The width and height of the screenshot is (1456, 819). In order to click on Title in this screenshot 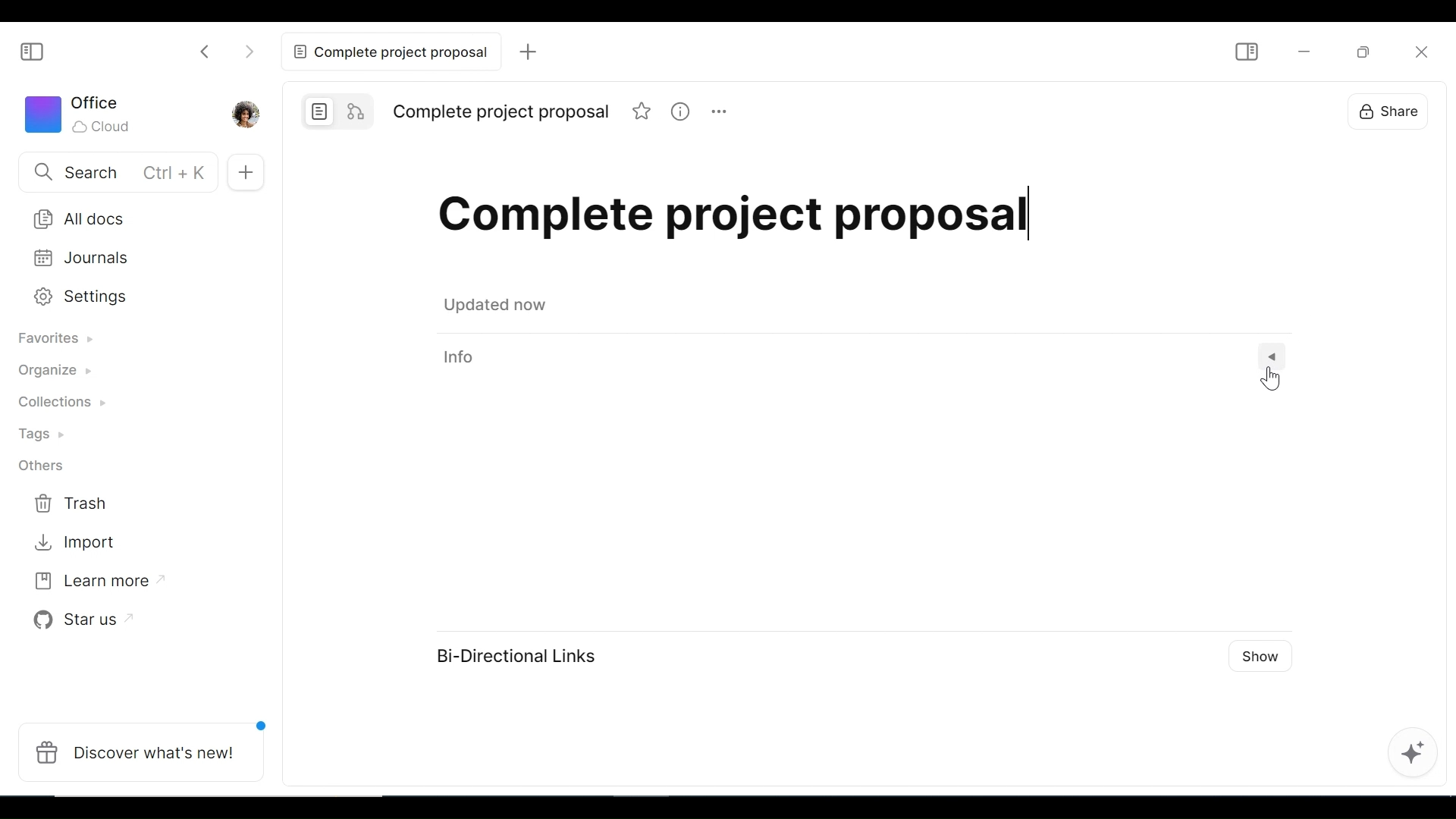, I will do `click(501, 110)`.